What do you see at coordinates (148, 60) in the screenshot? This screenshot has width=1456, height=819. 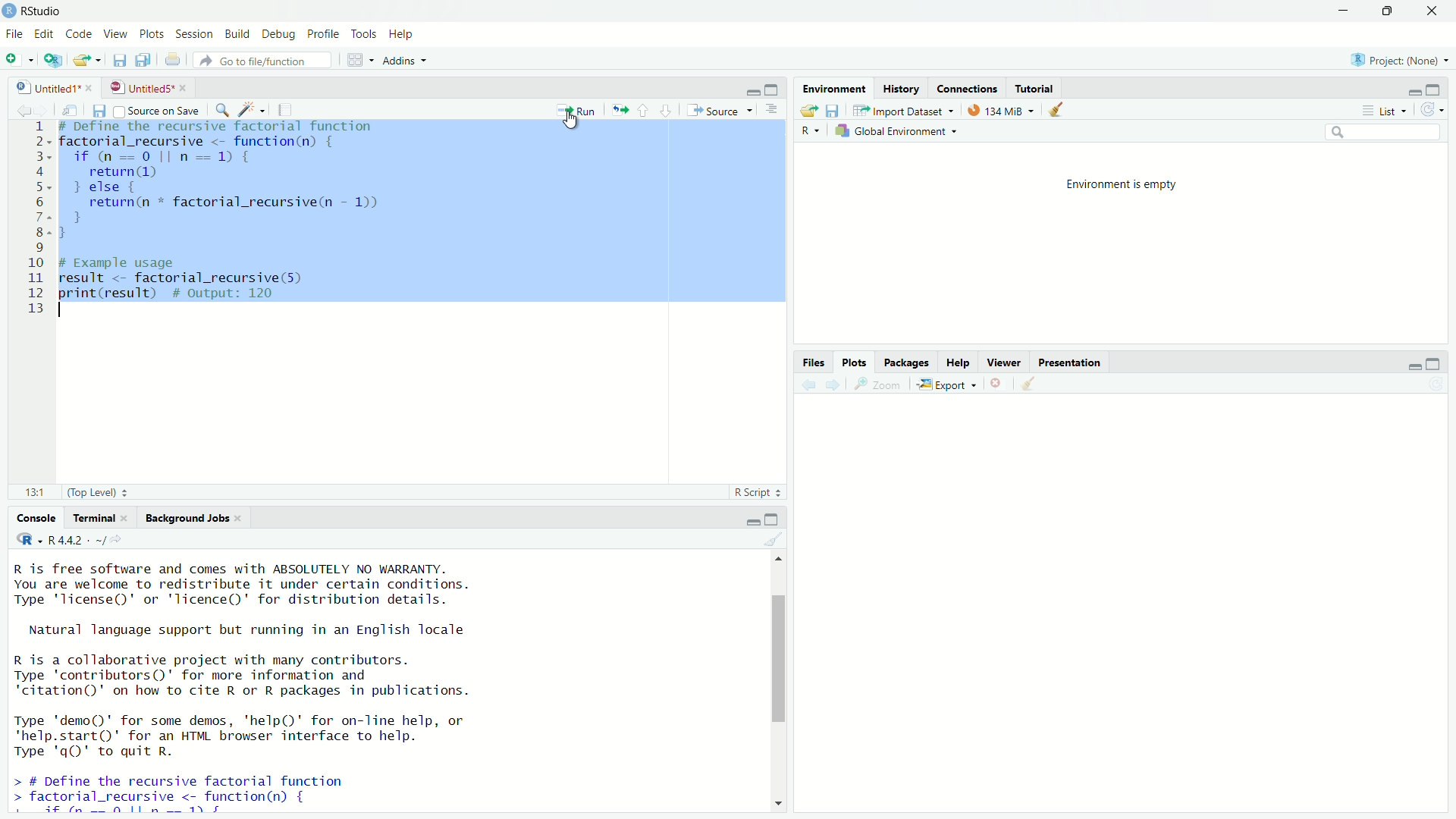 I see `Save all open documents (Ctrl + Alt + S)` at bounding box center [148, 60].